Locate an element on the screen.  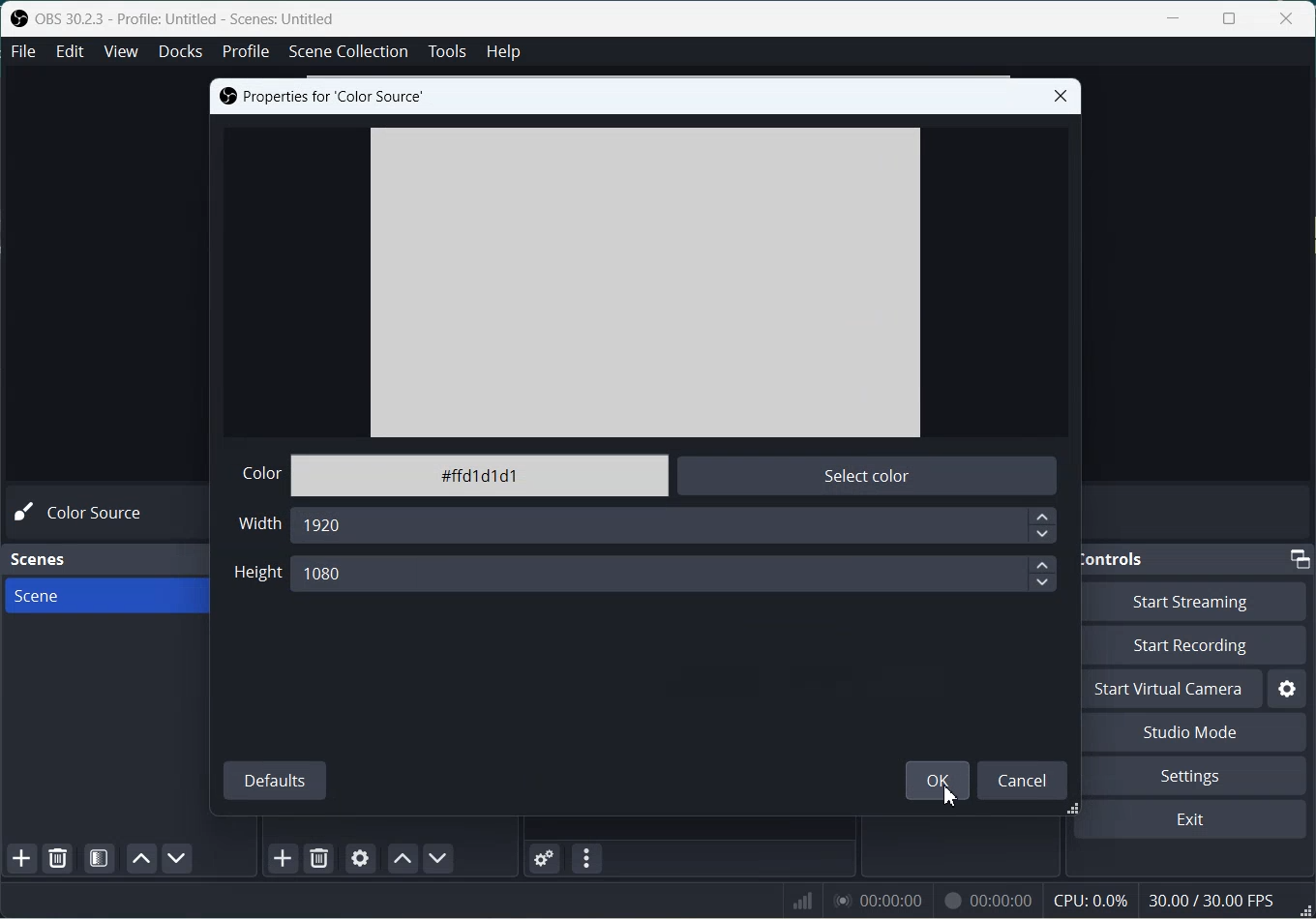
Audio mixer menu is located at coordinates (585, 858).